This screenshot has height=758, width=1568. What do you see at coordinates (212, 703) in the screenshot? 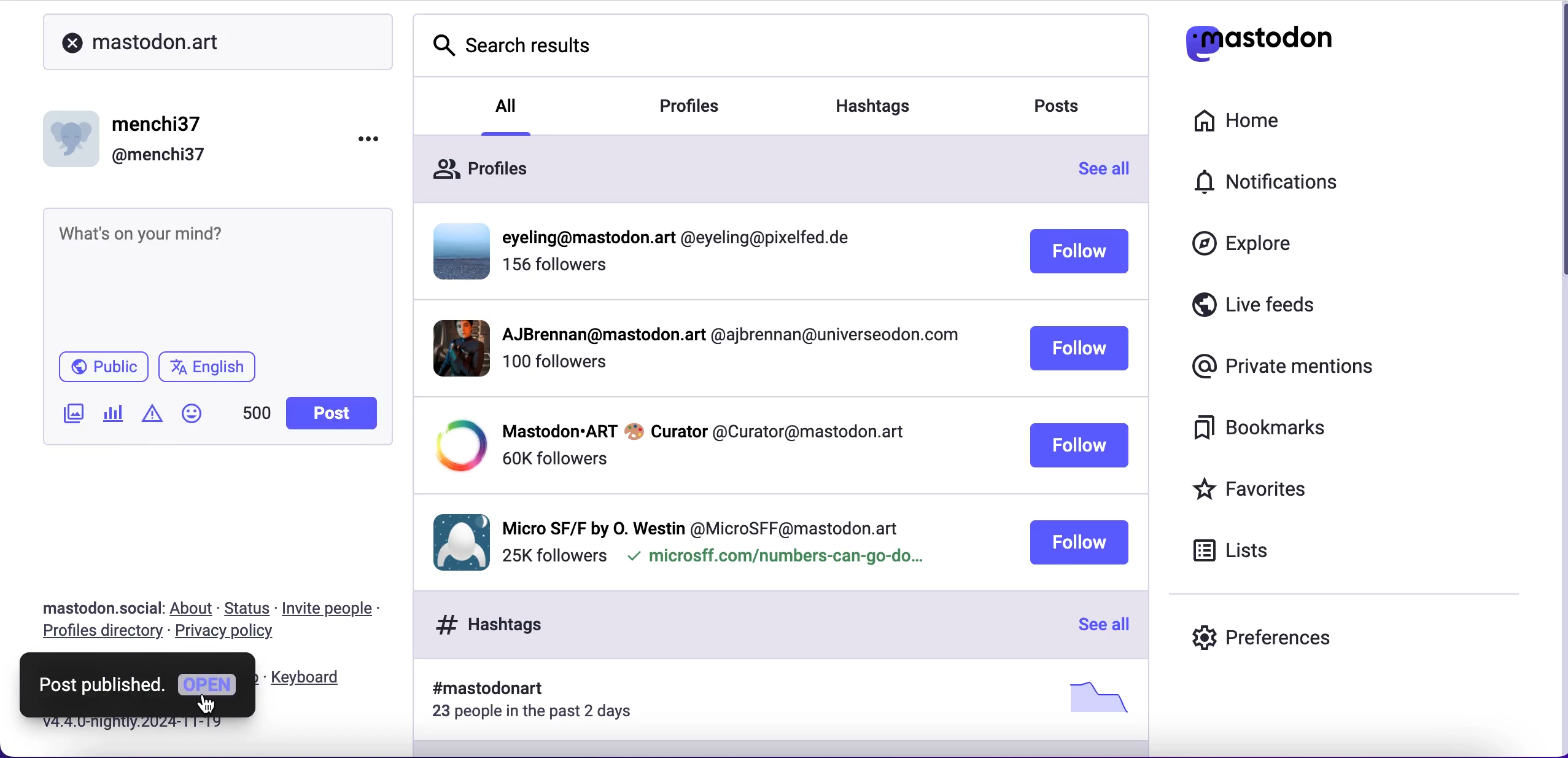
I see `cursor` at bounding box center [212, 703].